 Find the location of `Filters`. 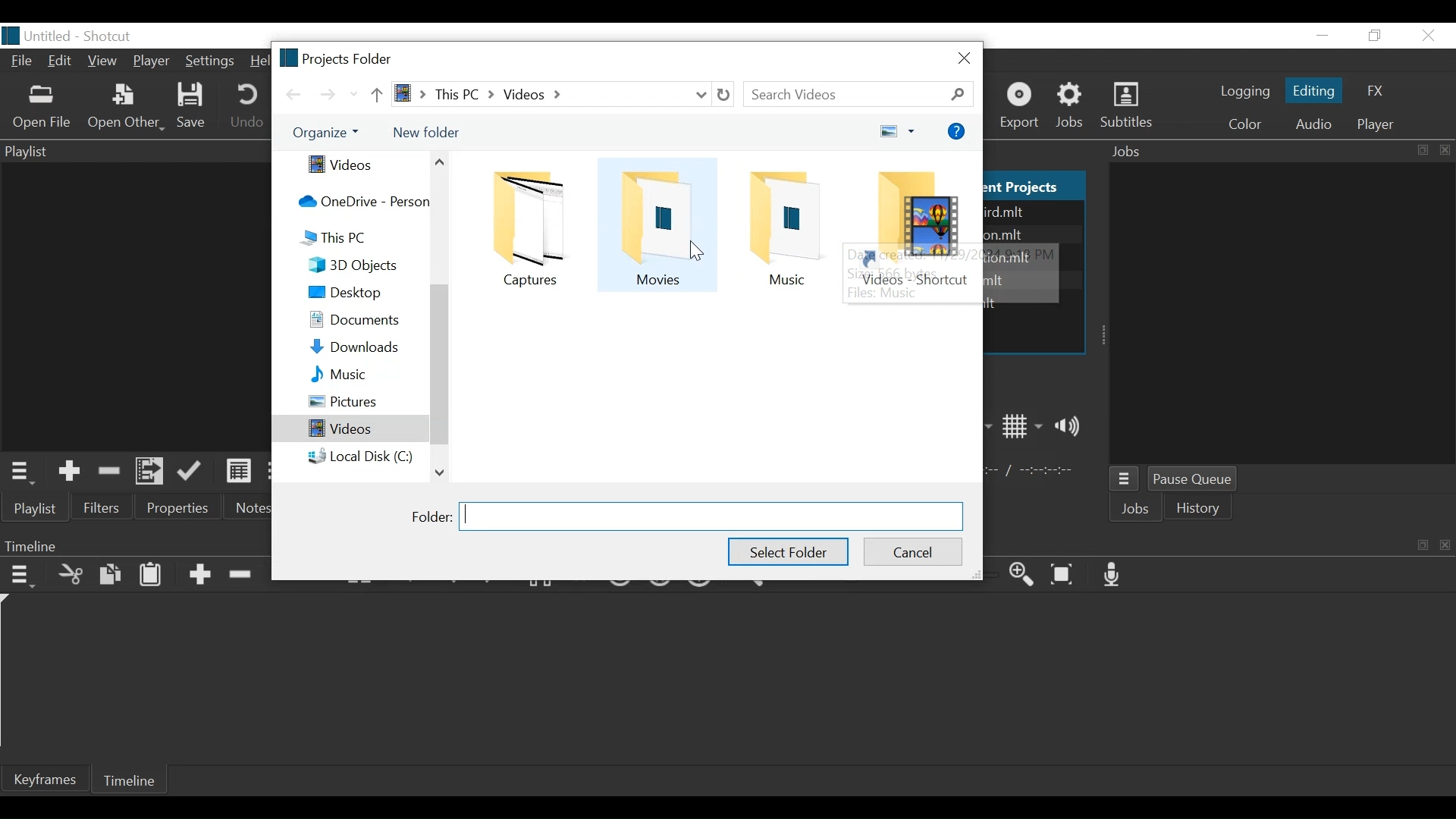

Filters is located at coordinates (102, 507).